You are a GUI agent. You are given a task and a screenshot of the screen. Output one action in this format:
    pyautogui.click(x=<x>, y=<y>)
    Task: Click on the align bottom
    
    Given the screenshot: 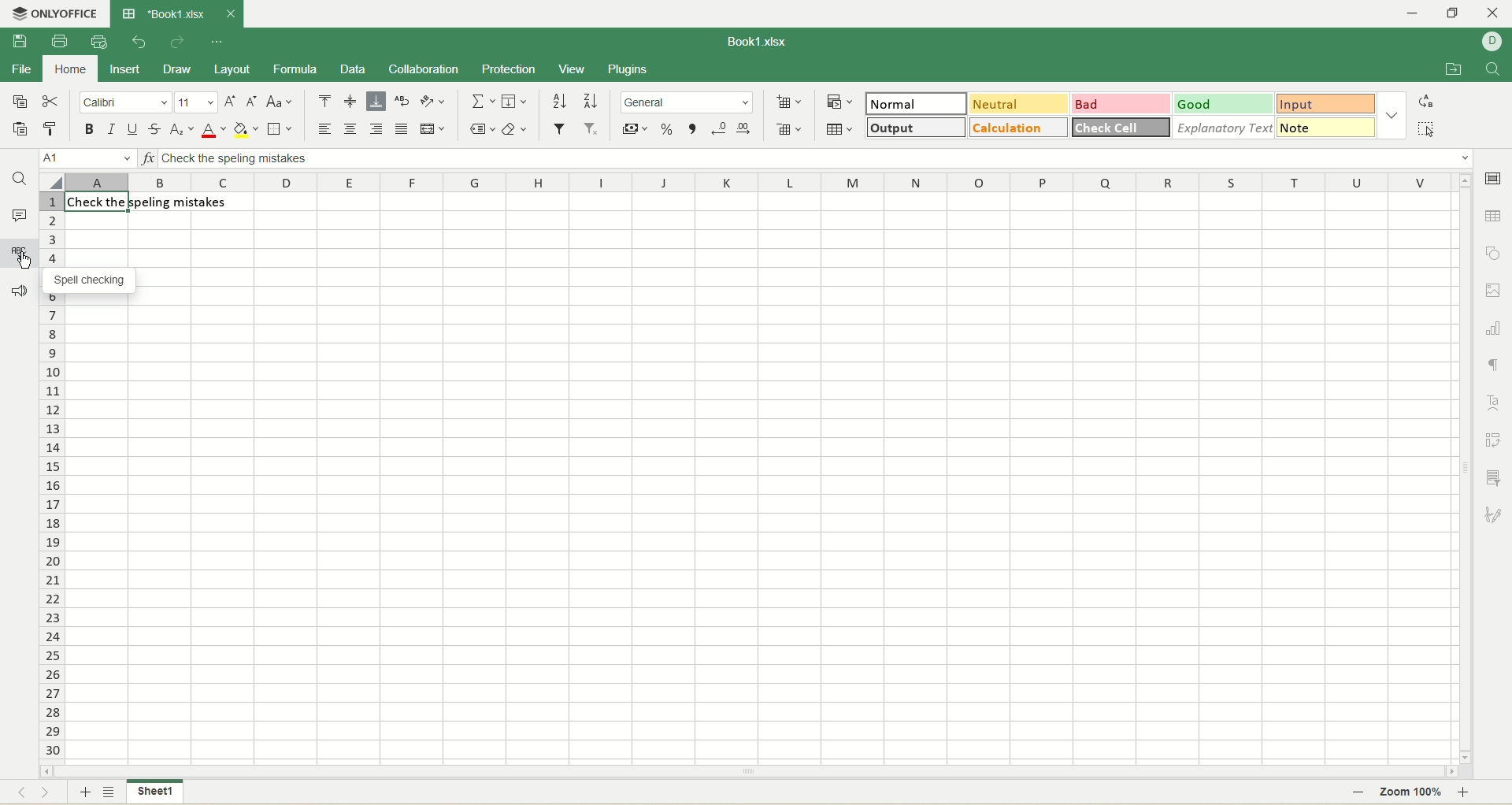 What is the action you would take?
    pyautogui.click(x=377, y=102)
    